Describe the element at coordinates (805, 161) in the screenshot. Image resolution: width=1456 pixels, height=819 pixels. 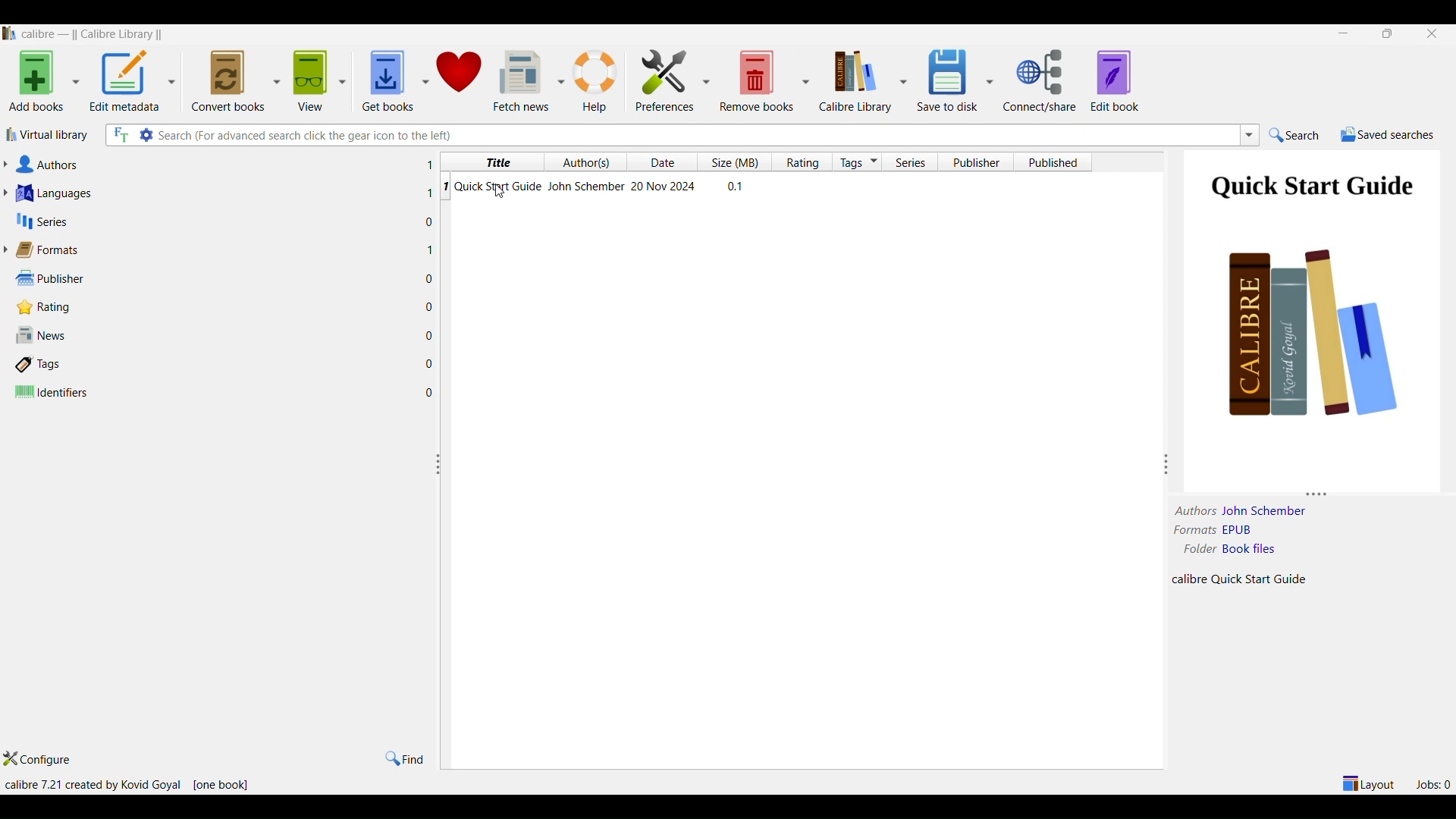
I see `ratings` at that location.